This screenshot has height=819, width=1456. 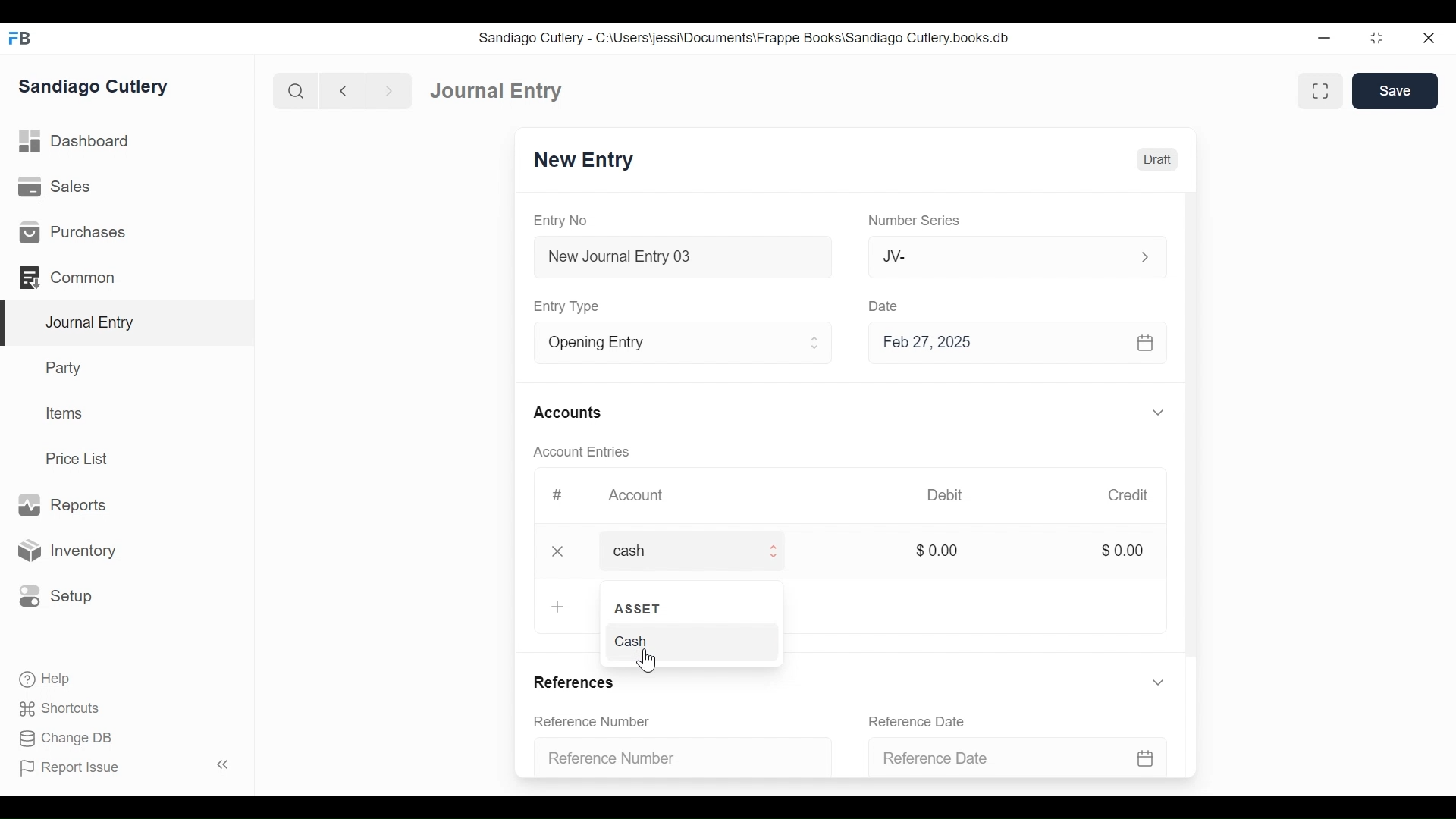 I want to click on Sales, so click(x=55, y=186).